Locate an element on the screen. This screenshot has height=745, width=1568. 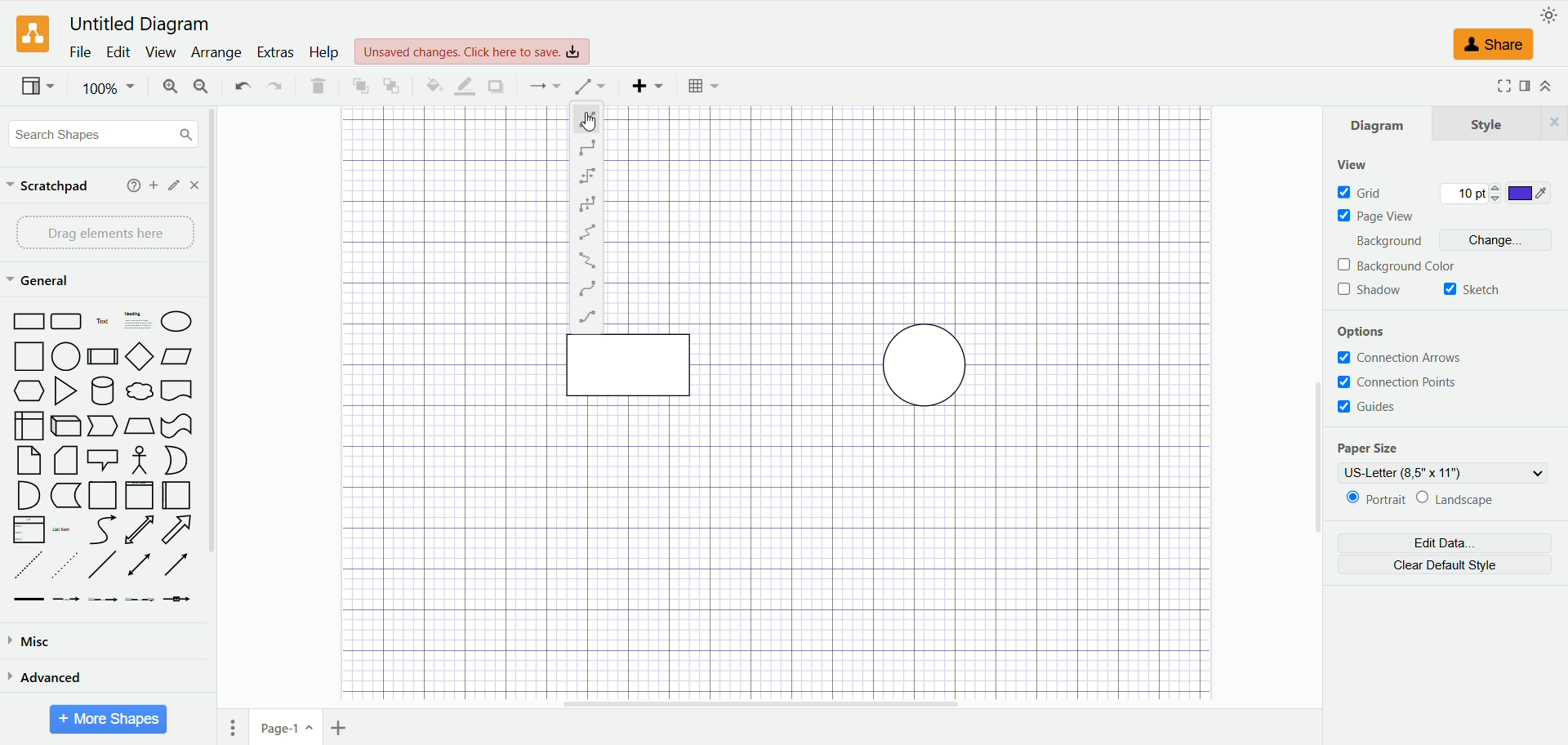
Orthogonal Waypoint is located at coordinates (589, 147).